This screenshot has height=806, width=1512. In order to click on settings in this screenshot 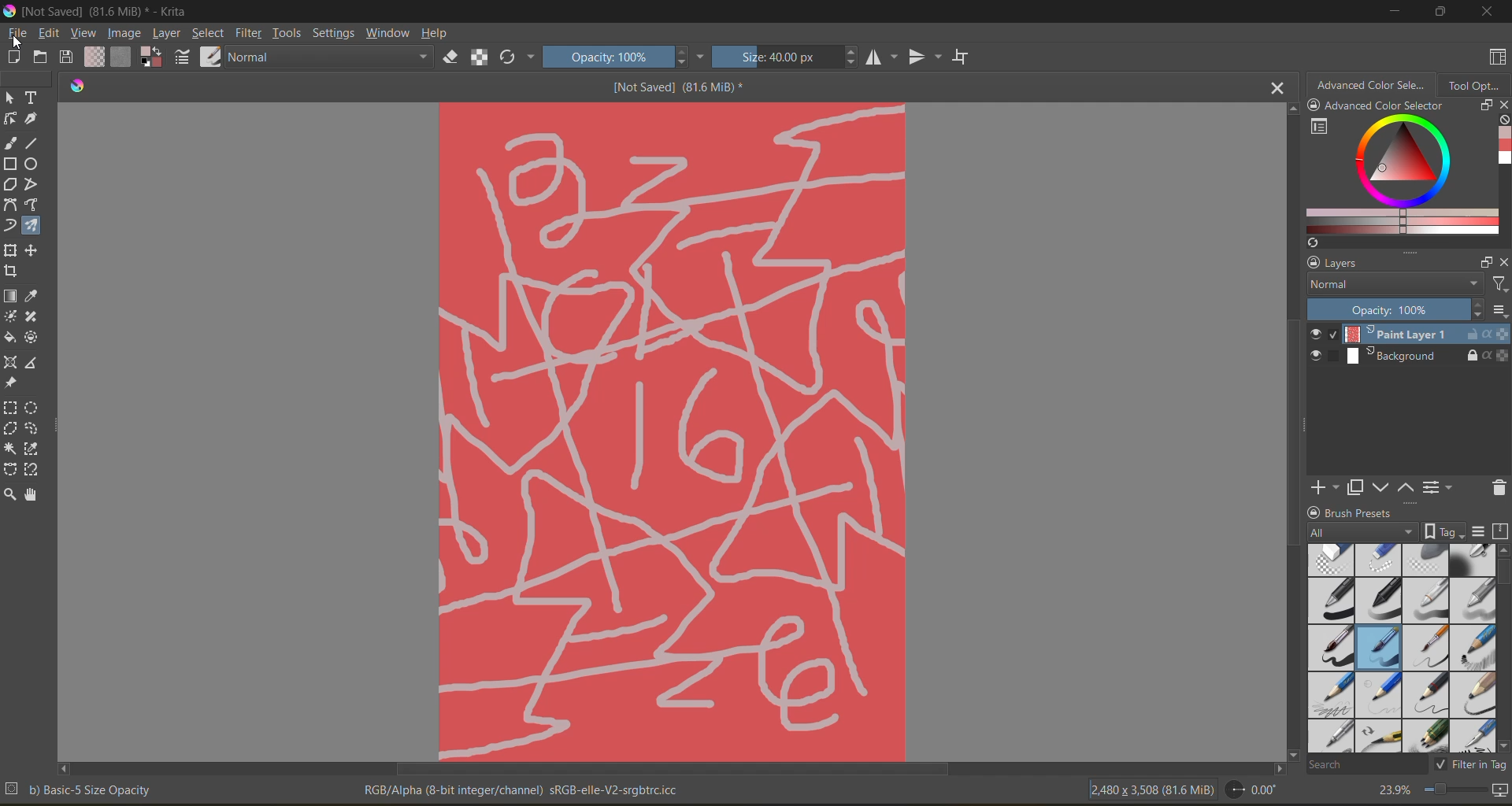, I will do `click(333, 33)`.